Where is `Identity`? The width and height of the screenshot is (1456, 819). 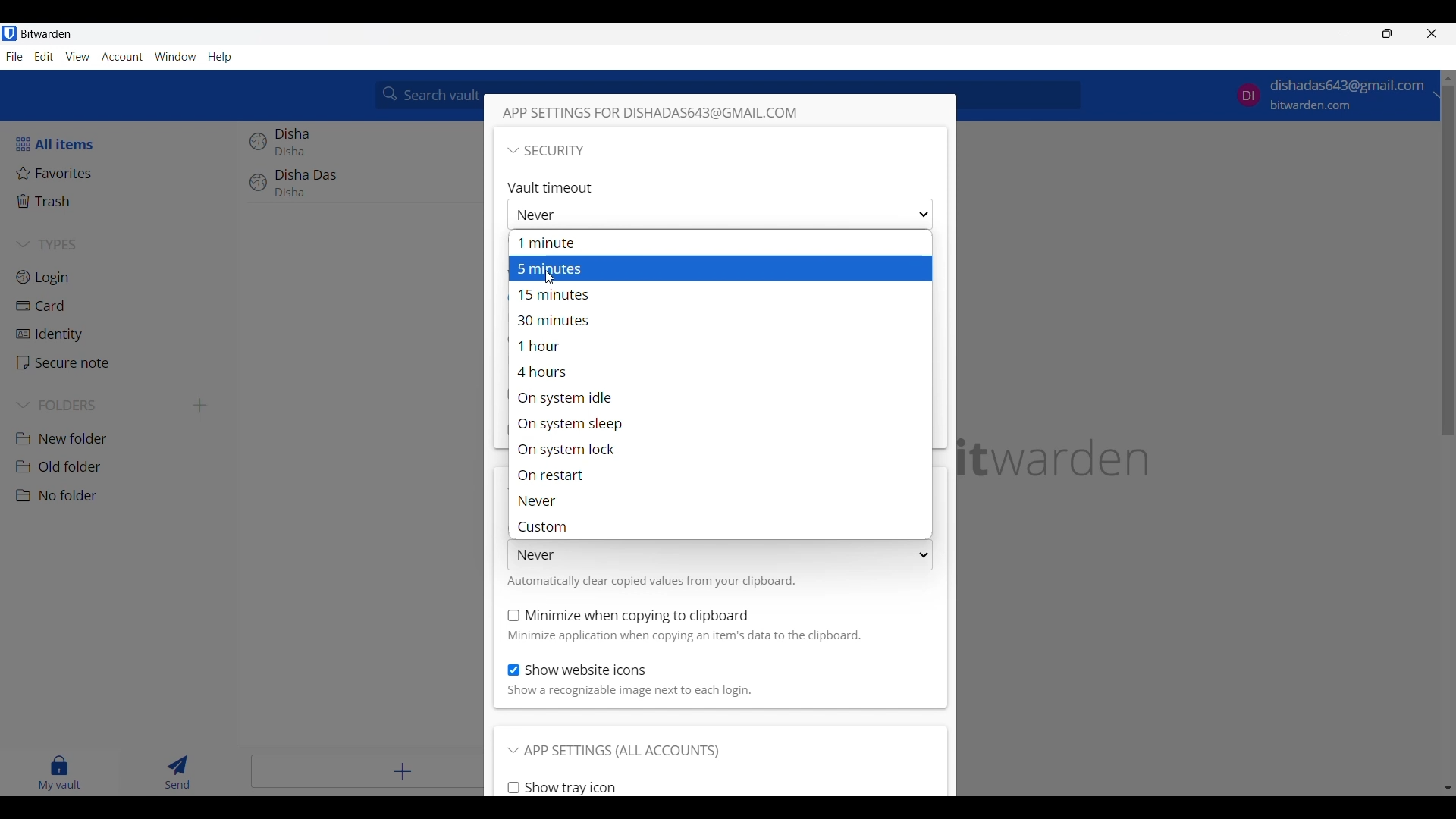 Identity is located at coordinates (121, 335).